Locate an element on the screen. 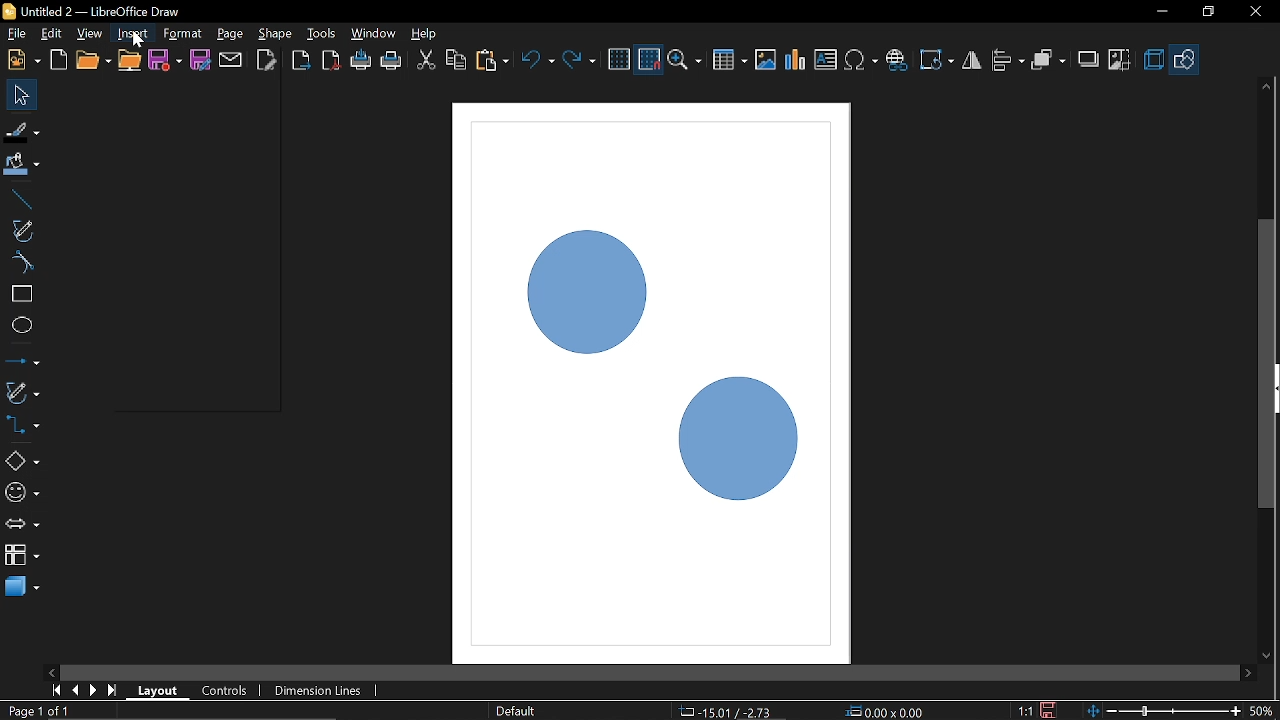 Image resolution: width=1280 pixels, height=720 pixels. Lines and arrows is located at coordinates (22, 363).